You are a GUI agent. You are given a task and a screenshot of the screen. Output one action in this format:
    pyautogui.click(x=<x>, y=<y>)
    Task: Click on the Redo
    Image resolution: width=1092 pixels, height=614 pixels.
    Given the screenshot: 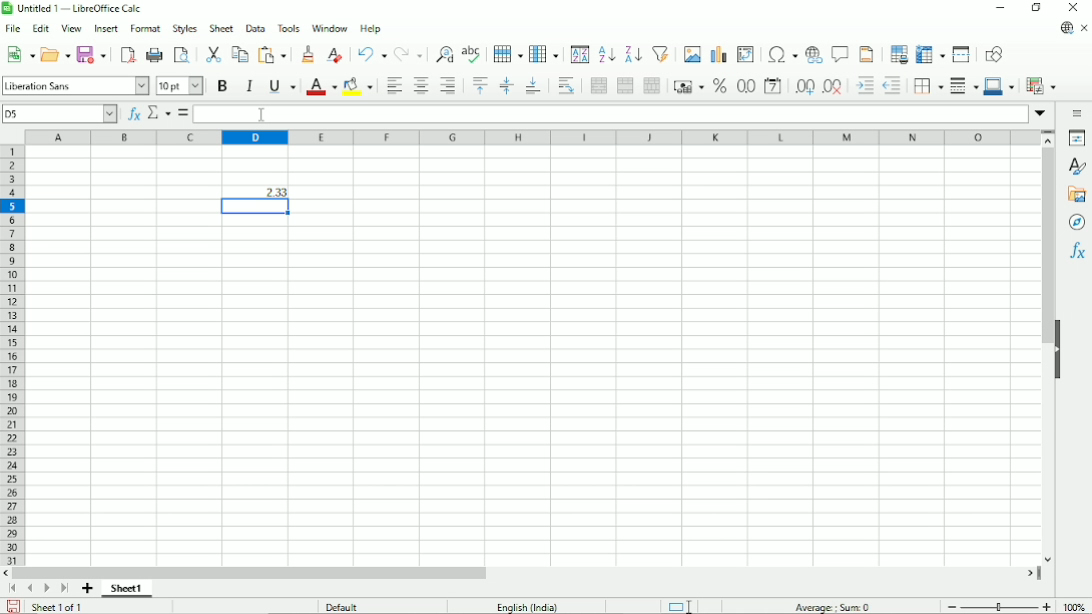 What is the action you would take?
    pyautogui.click(x=410, y=55)
    